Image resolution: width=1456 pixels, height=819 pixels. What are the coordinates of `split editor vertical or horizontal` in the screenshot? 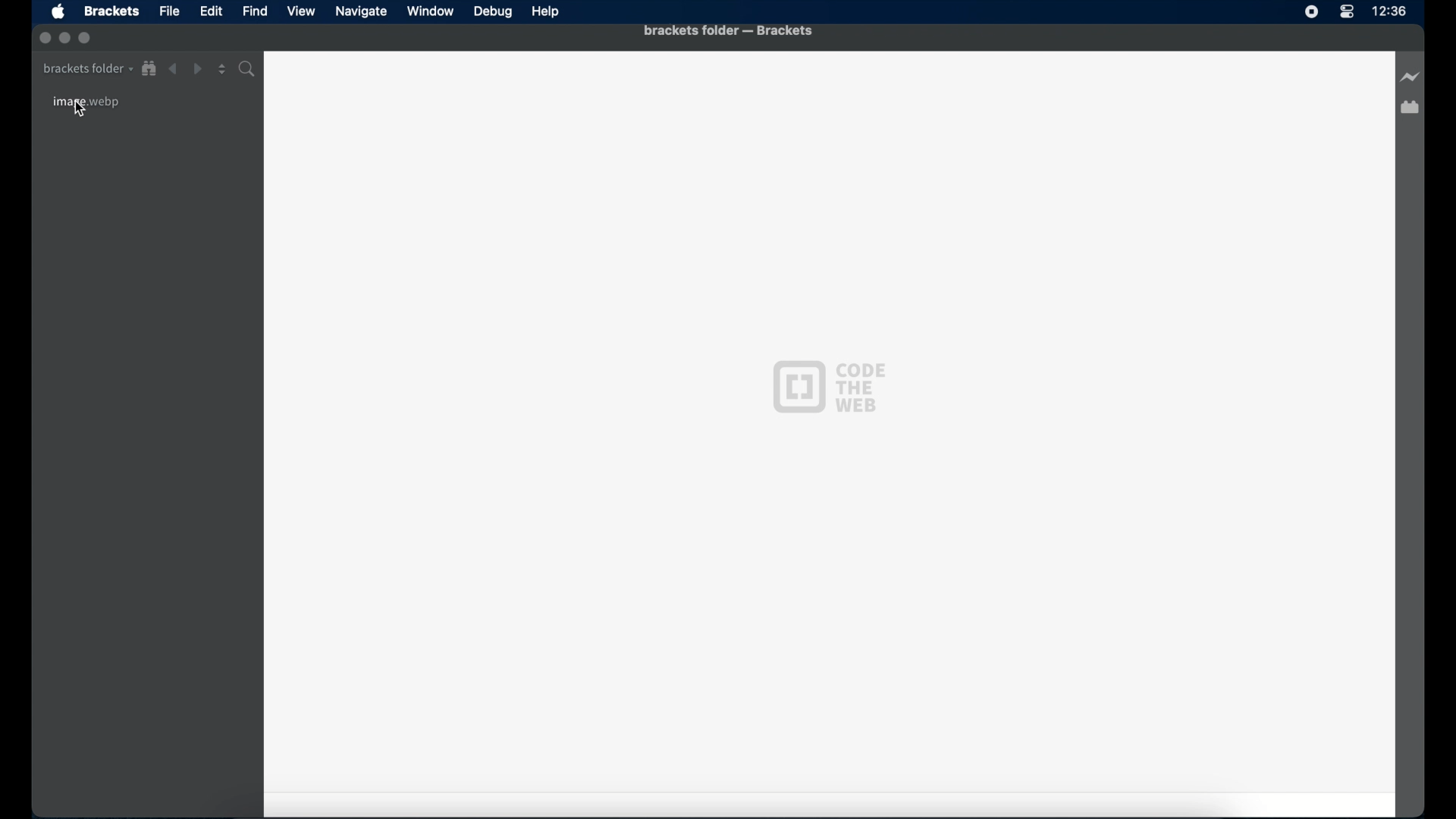 It's located at (222, 69).